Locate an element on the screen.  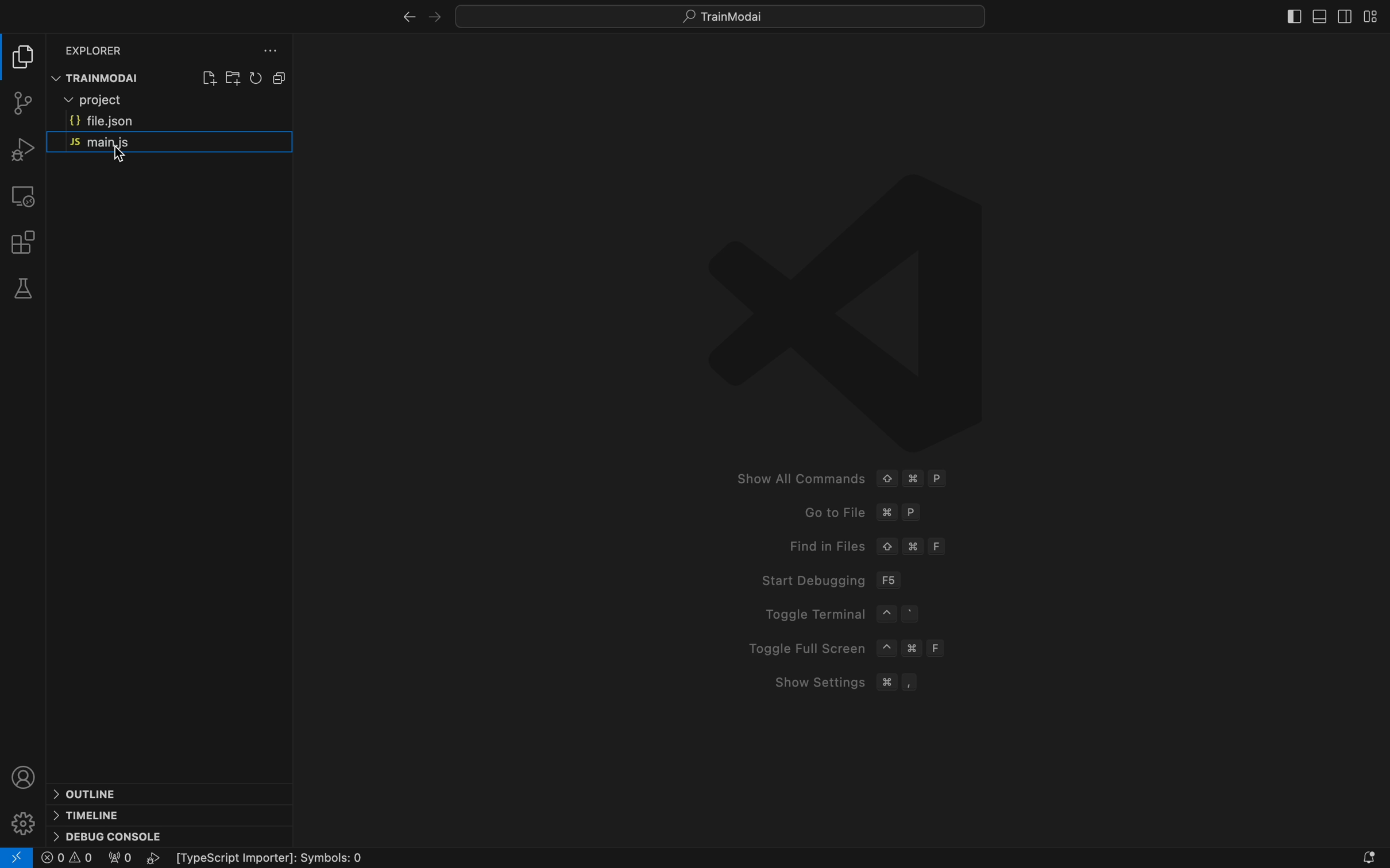
layout is located at coordinates (1374, 17).